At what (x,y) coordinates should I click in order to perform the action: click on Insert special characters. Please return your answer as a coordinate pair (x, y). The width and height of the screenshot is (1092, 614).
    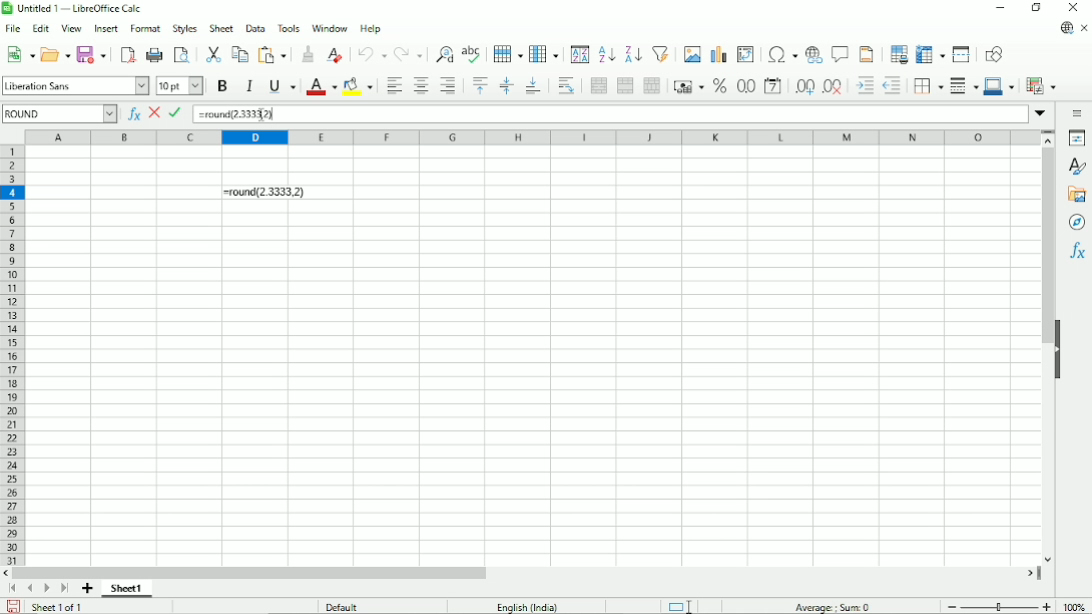
    Looking at the image, I should click on (783, 54).